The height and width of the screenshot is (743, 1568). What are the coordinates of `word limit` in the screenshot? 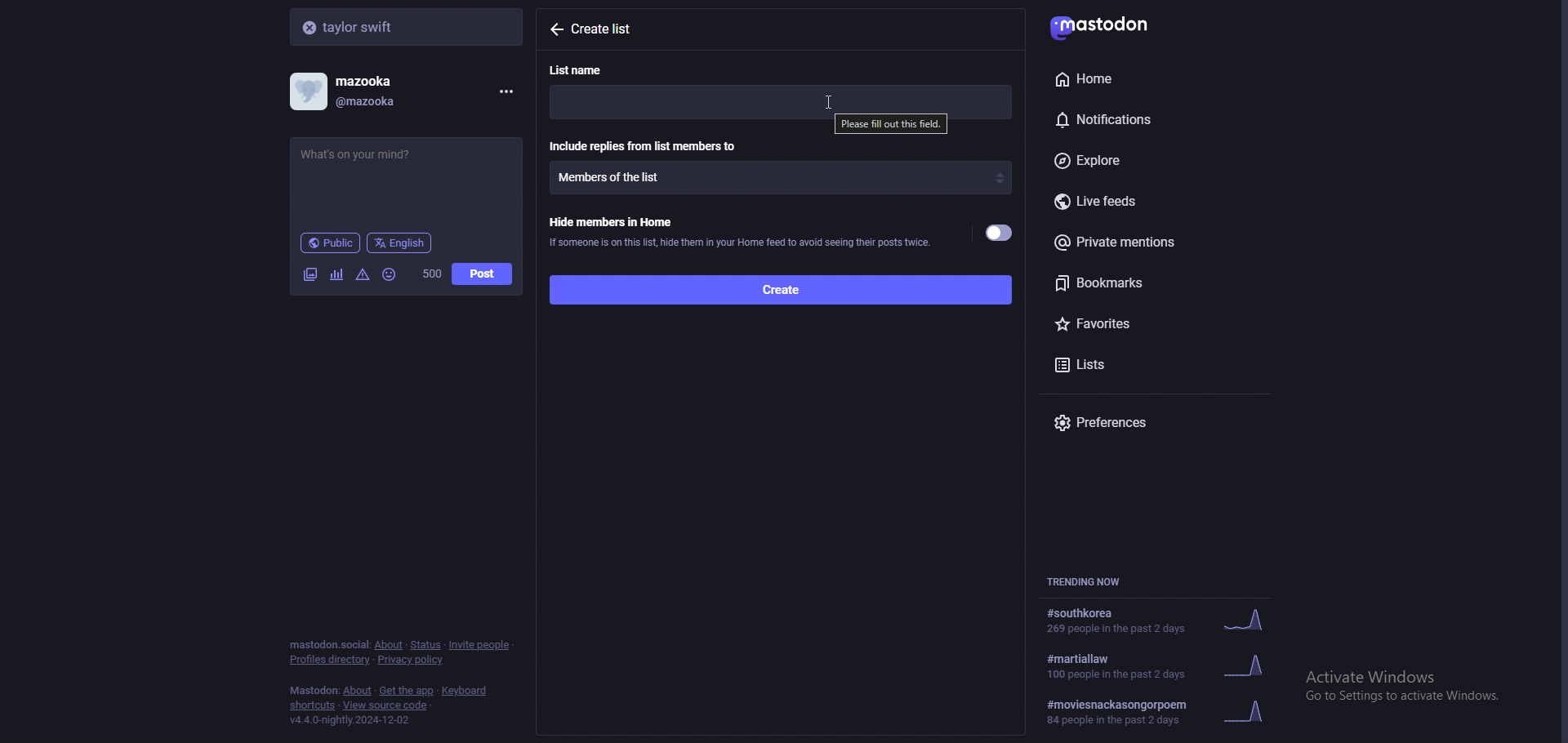 It's located at (430, 274).